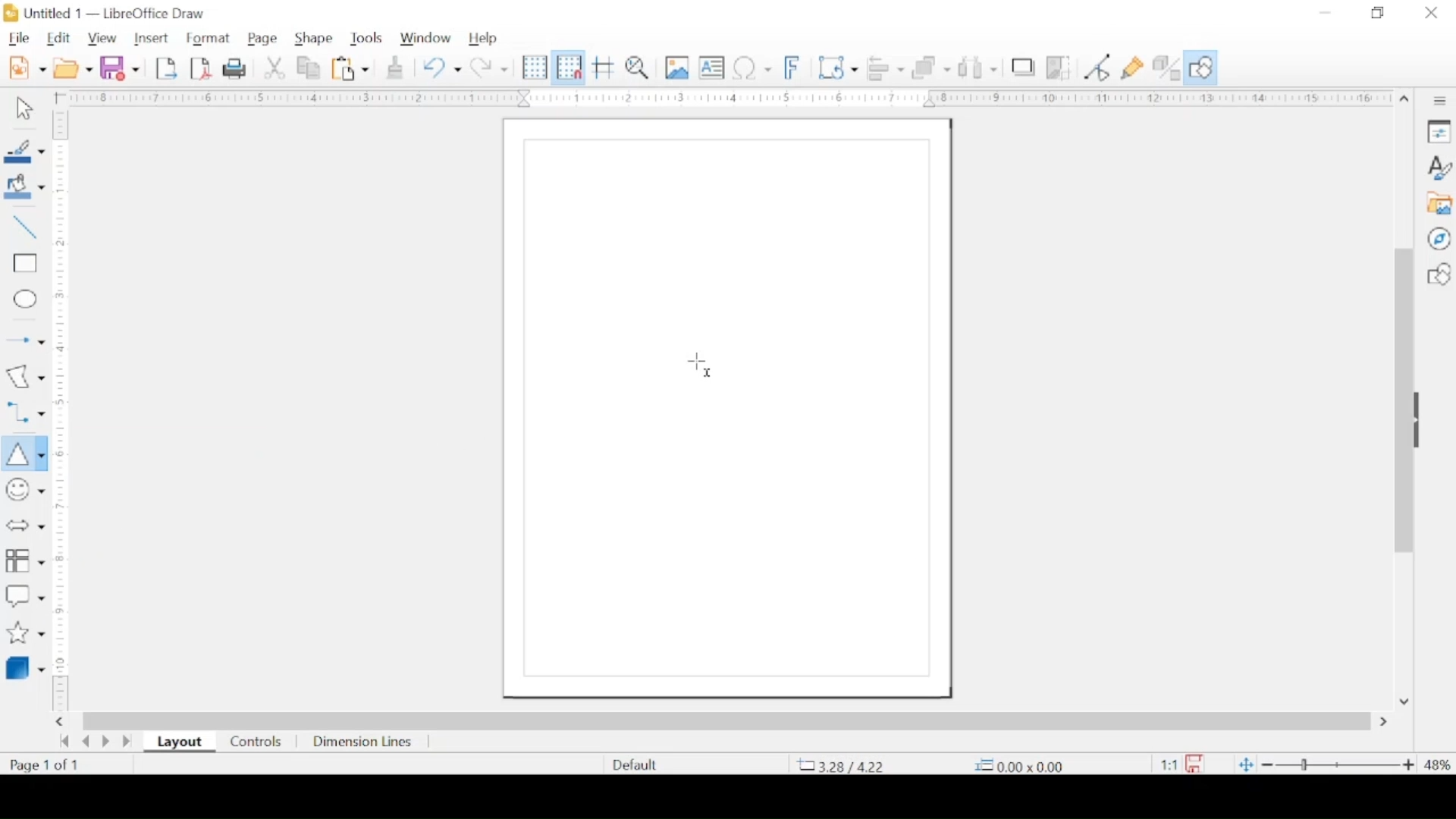 Image resolution: width=1456 pixels, height=819 pixels. Describe the element at coordinates (64, 741) in the screenshot. I see `go back` at that location.